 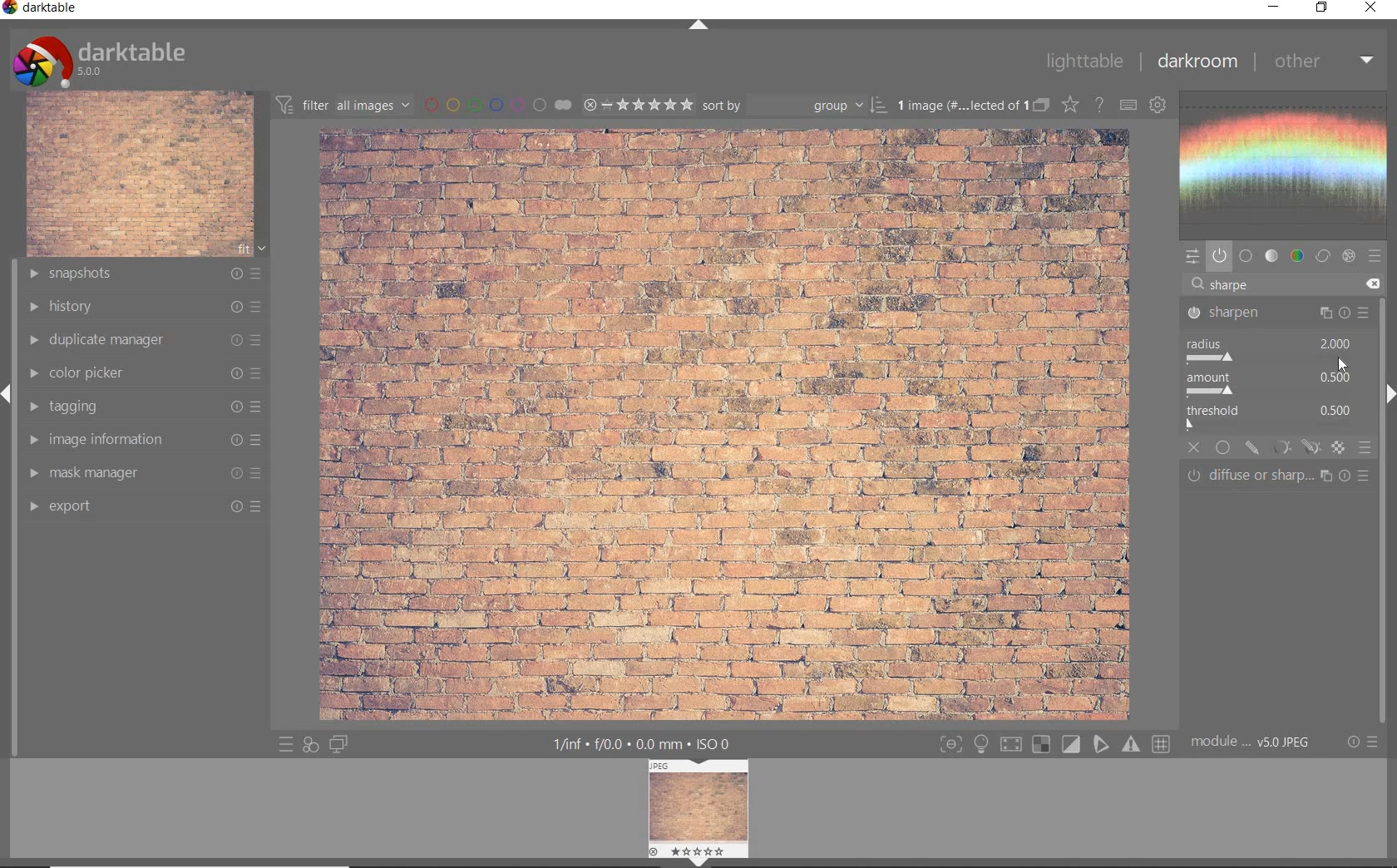 I want to click on history, so click(x=147, y=307).